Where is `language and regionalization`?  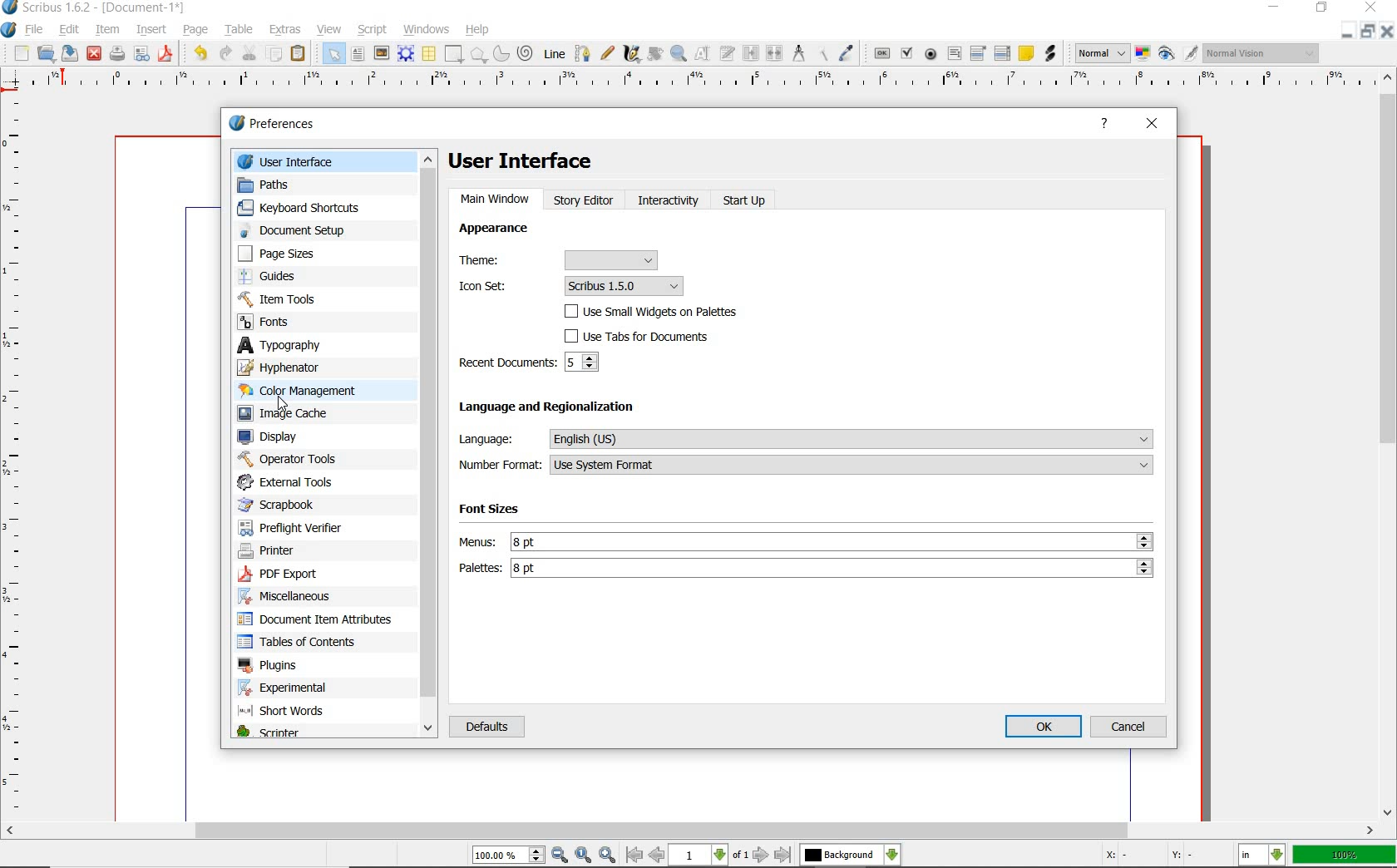
language and regionalization is located at coordinates (550, 407).